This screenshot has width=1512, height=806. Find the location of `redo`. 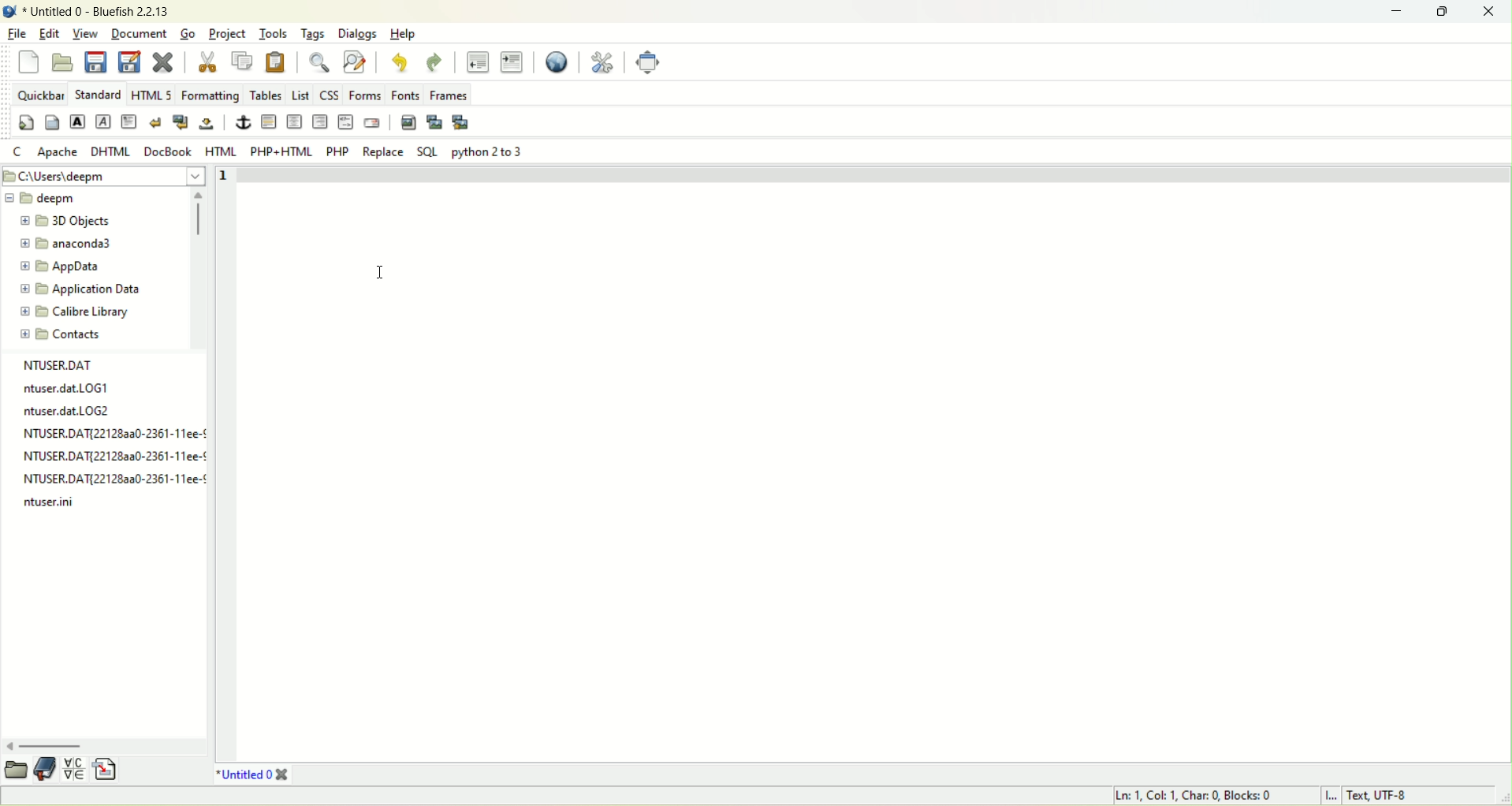

redo is located at coordinates (434, 62).